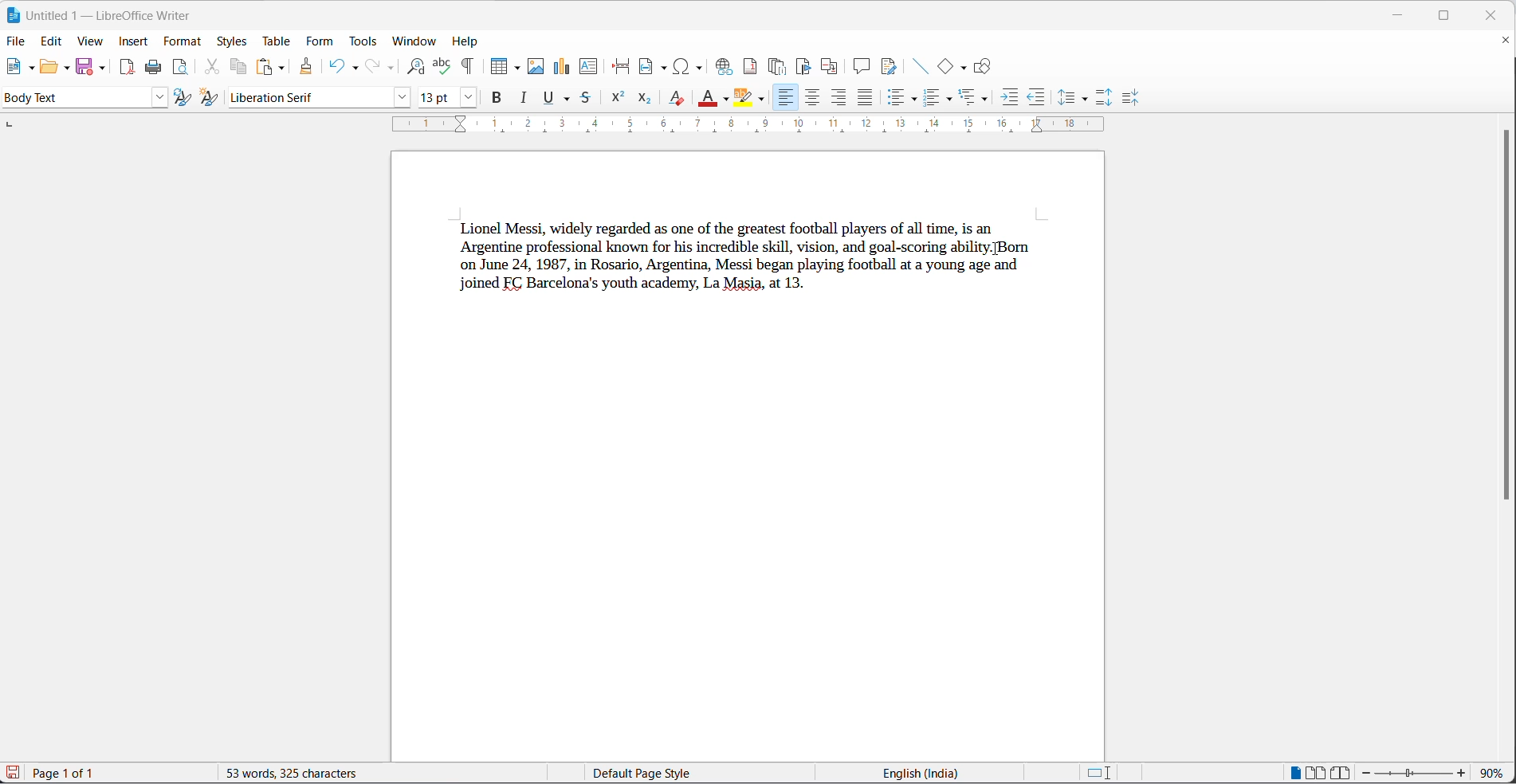  Describe the element at coordinates (211, 98) in the screenshot. I see `create new style from selection` at that location.